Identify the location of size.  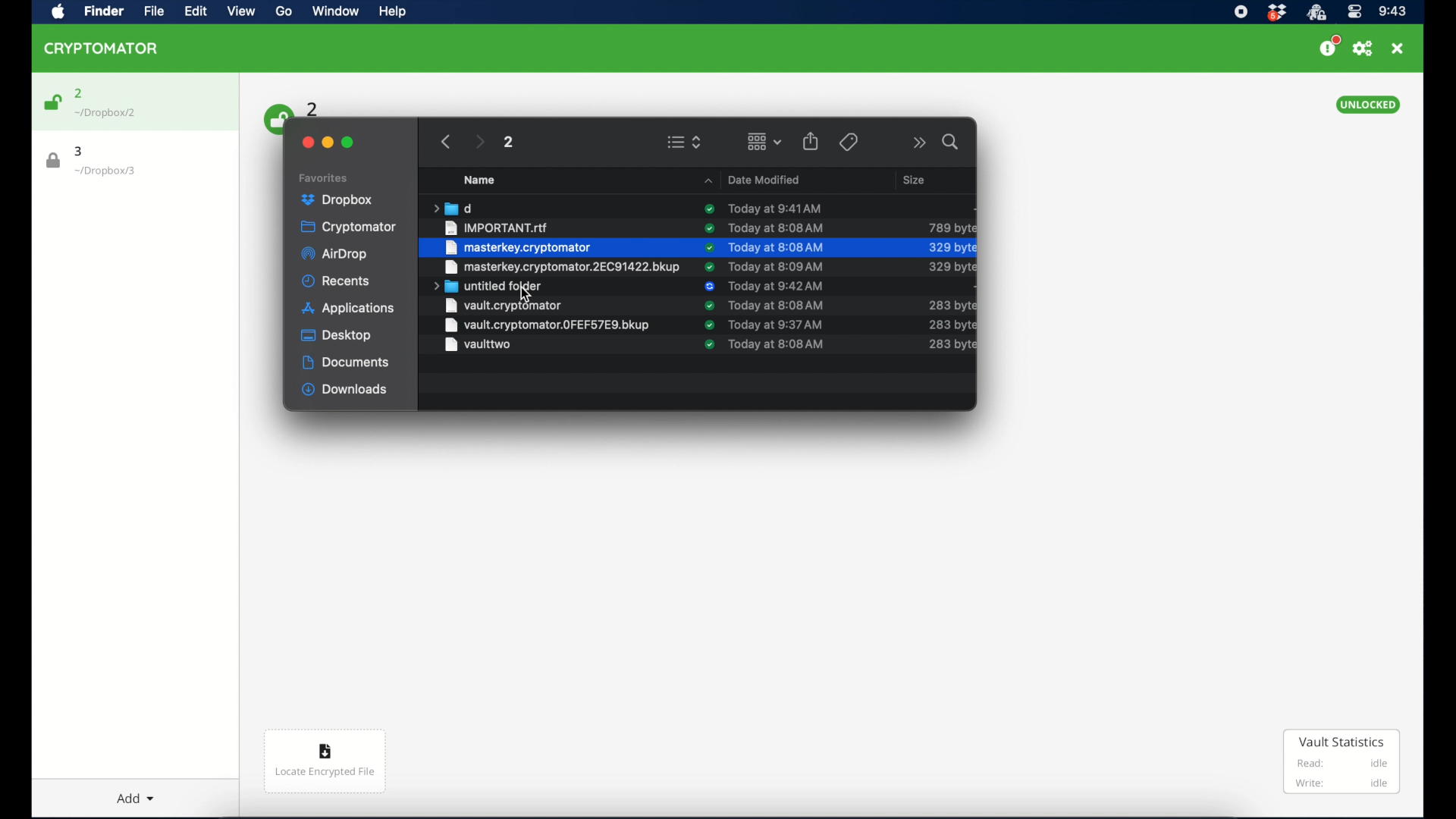
(951, 305).